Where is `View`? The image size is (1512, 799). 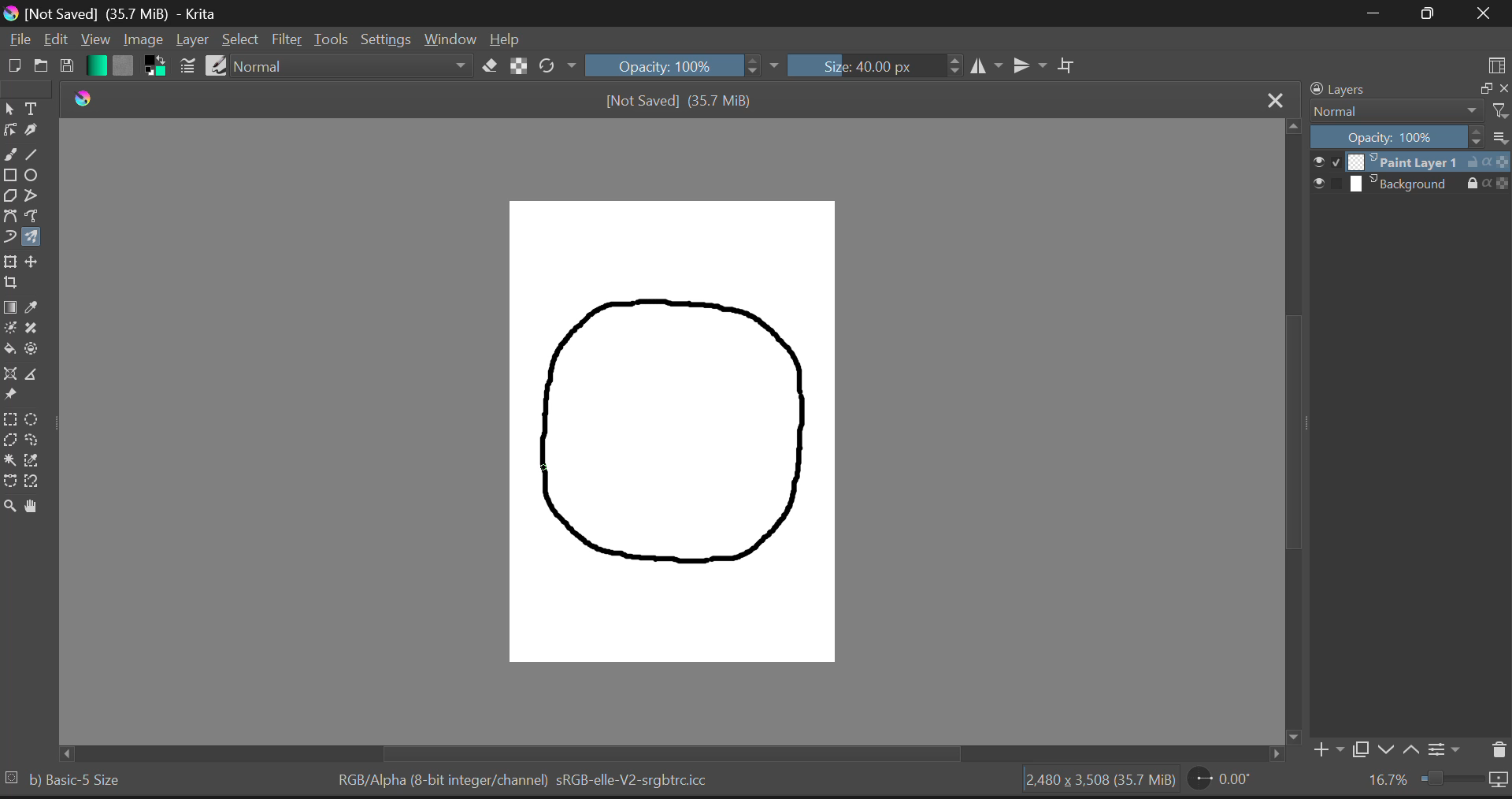 View is located at coordinates (94, 39).